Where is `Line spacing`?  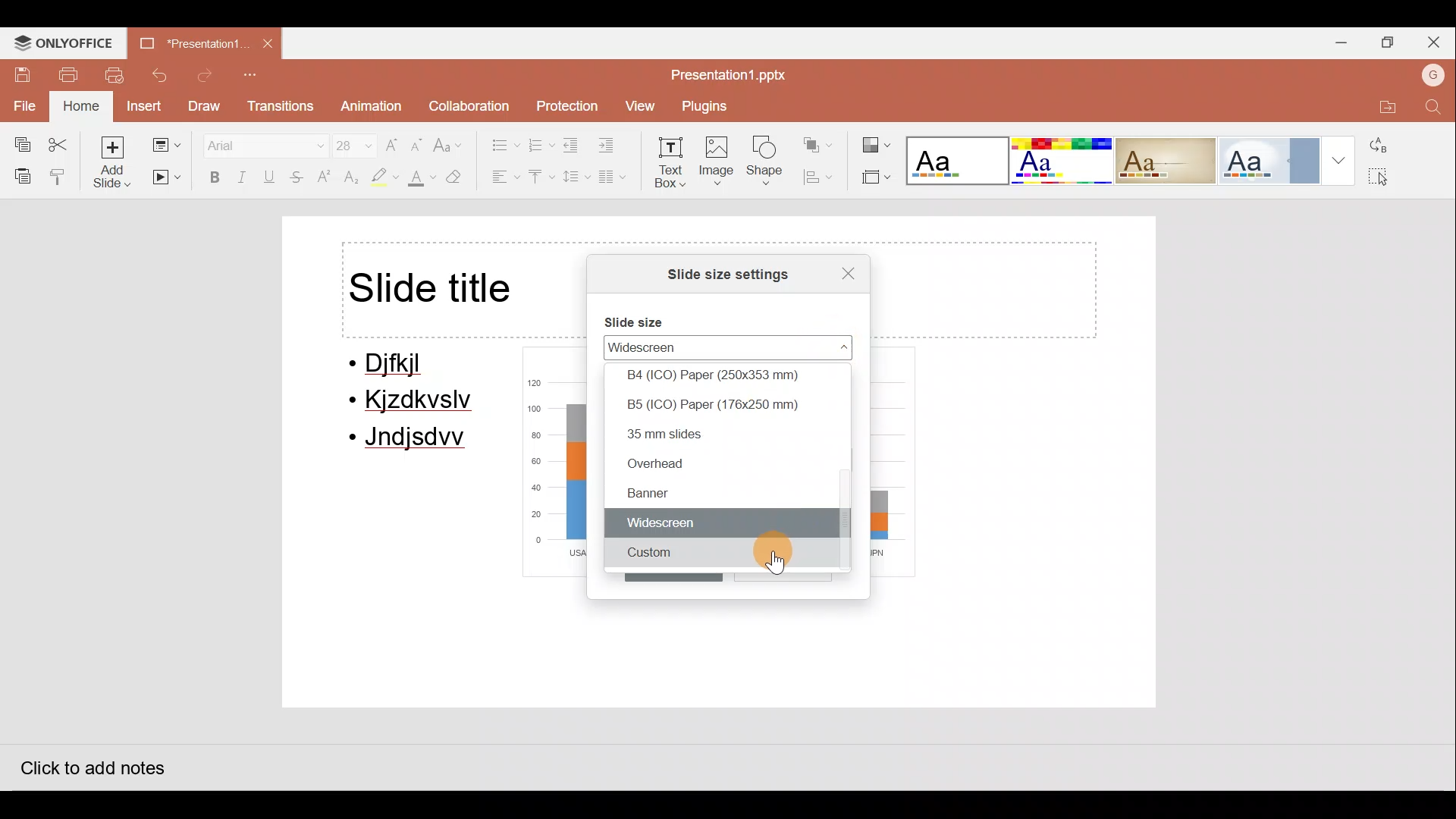
Line spacing is located at coordinates (574, 177).